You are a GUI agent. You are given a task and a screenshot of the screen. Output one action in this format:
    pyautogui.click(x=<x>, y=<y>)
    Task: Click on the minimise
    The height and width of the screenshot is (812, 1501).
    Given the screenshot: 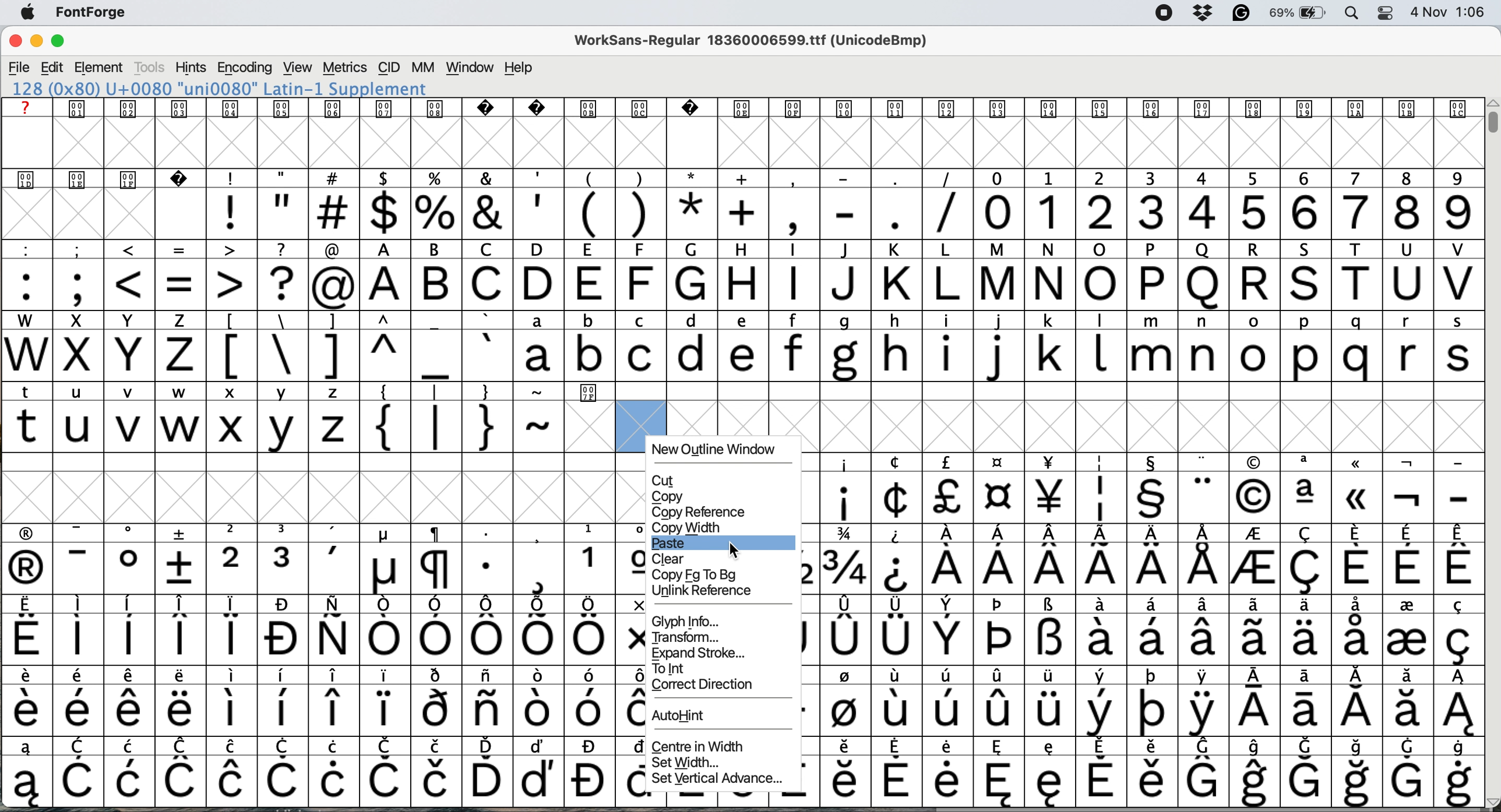 What is the action you would take?
    pyautogui.click(x=35, y=43)
    